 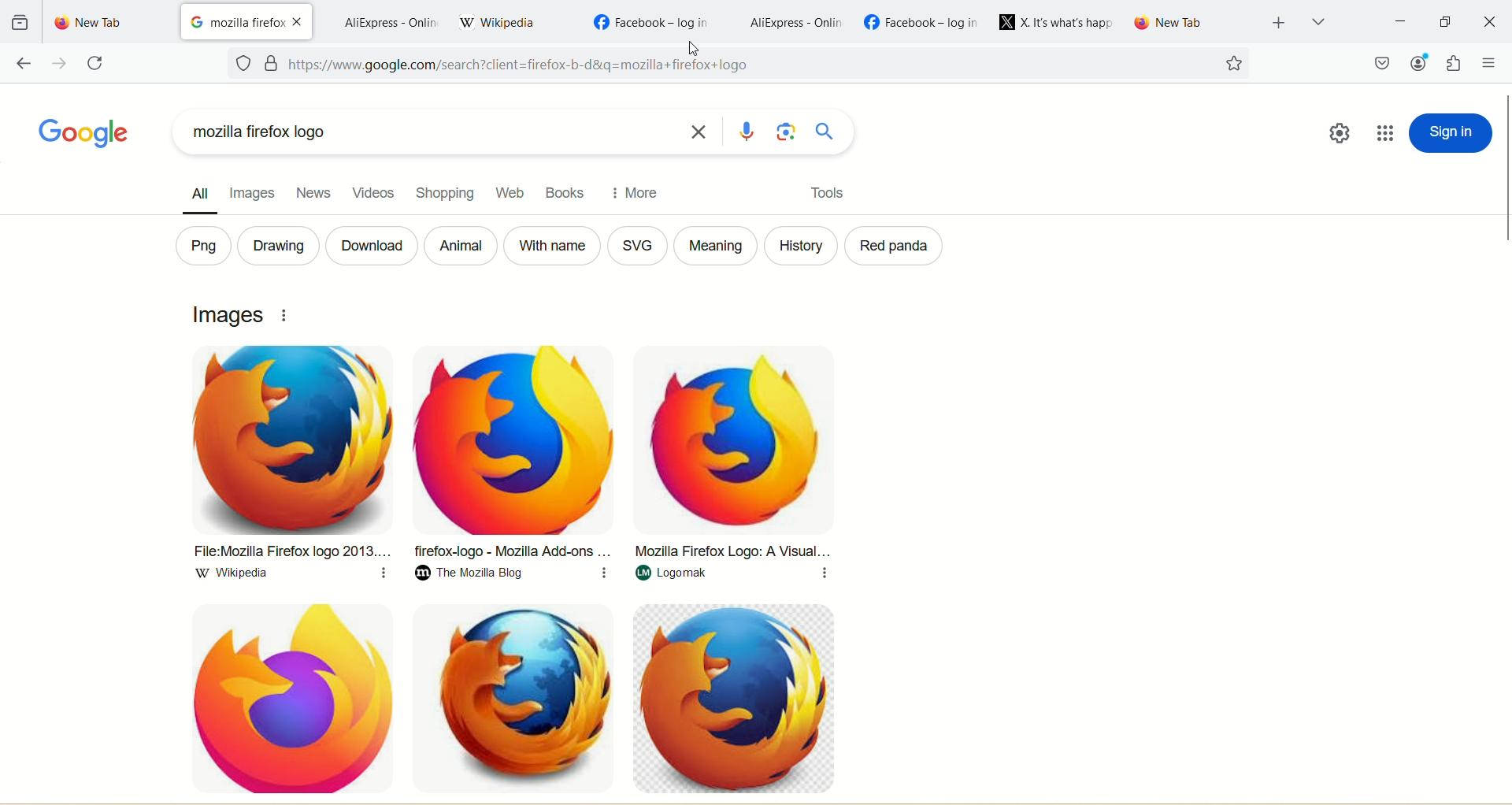 What do you see at coordinates (1453, 132) in the screenshot?
I see `sign in` at bounding box center [1453, 132].